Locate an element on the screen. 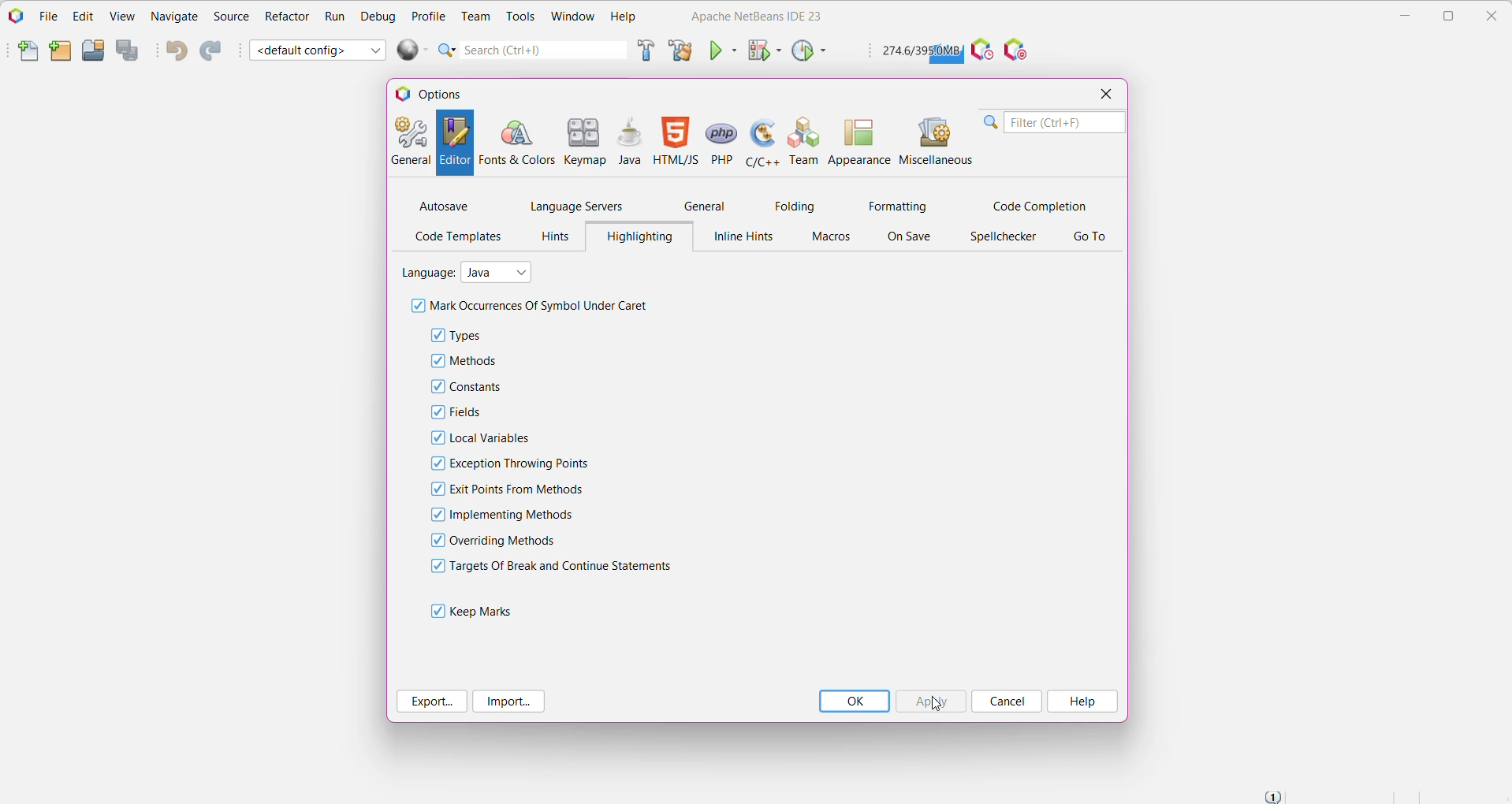 This screenshot has width=1512, height=804. Notifications is located at coordinates (1276, 795).